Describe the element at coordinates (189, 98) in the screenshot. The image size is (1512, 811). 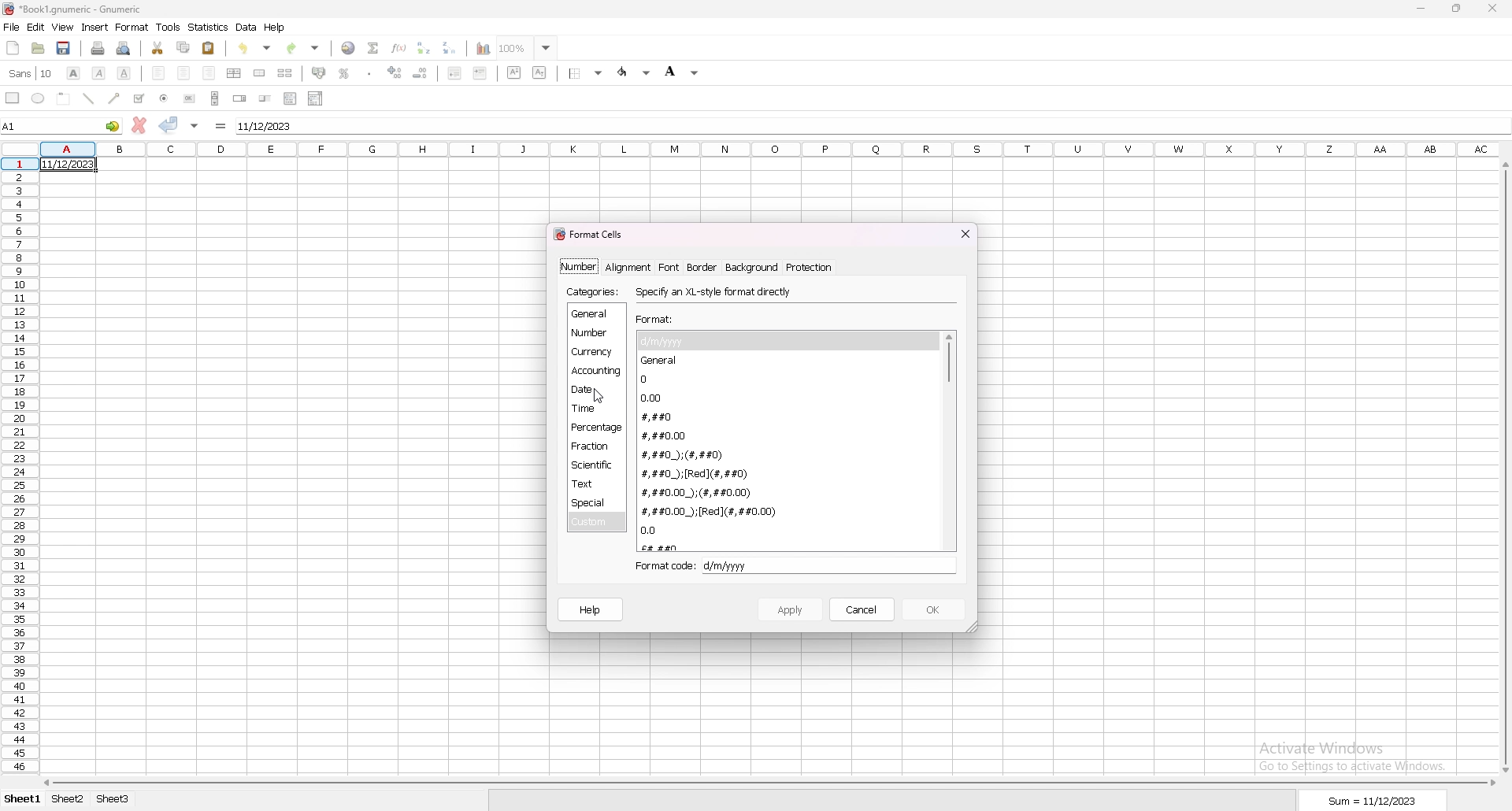
I see `button` at that location.